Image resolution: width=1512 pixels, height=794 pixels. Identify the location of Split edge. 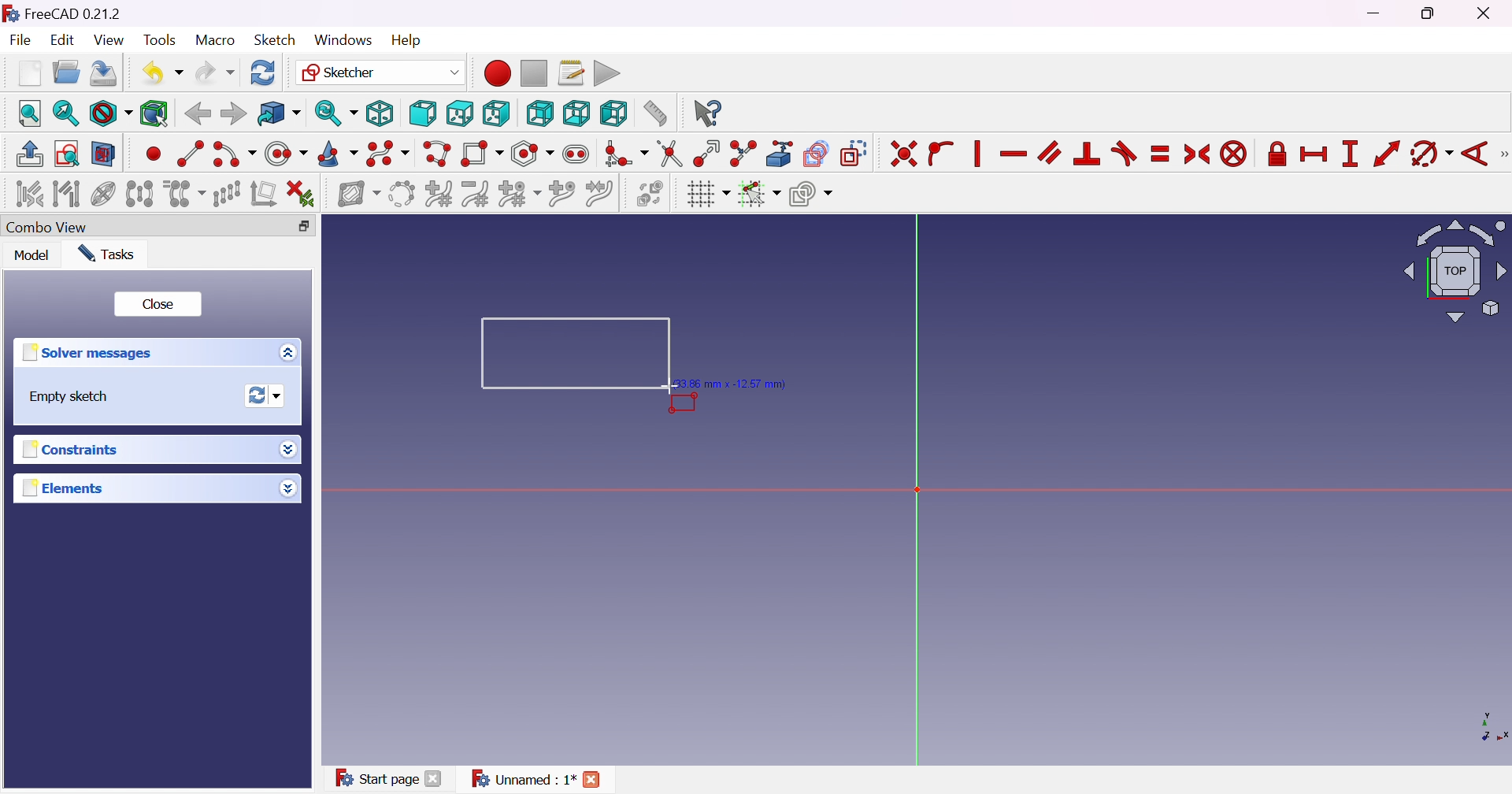
(742, 154).